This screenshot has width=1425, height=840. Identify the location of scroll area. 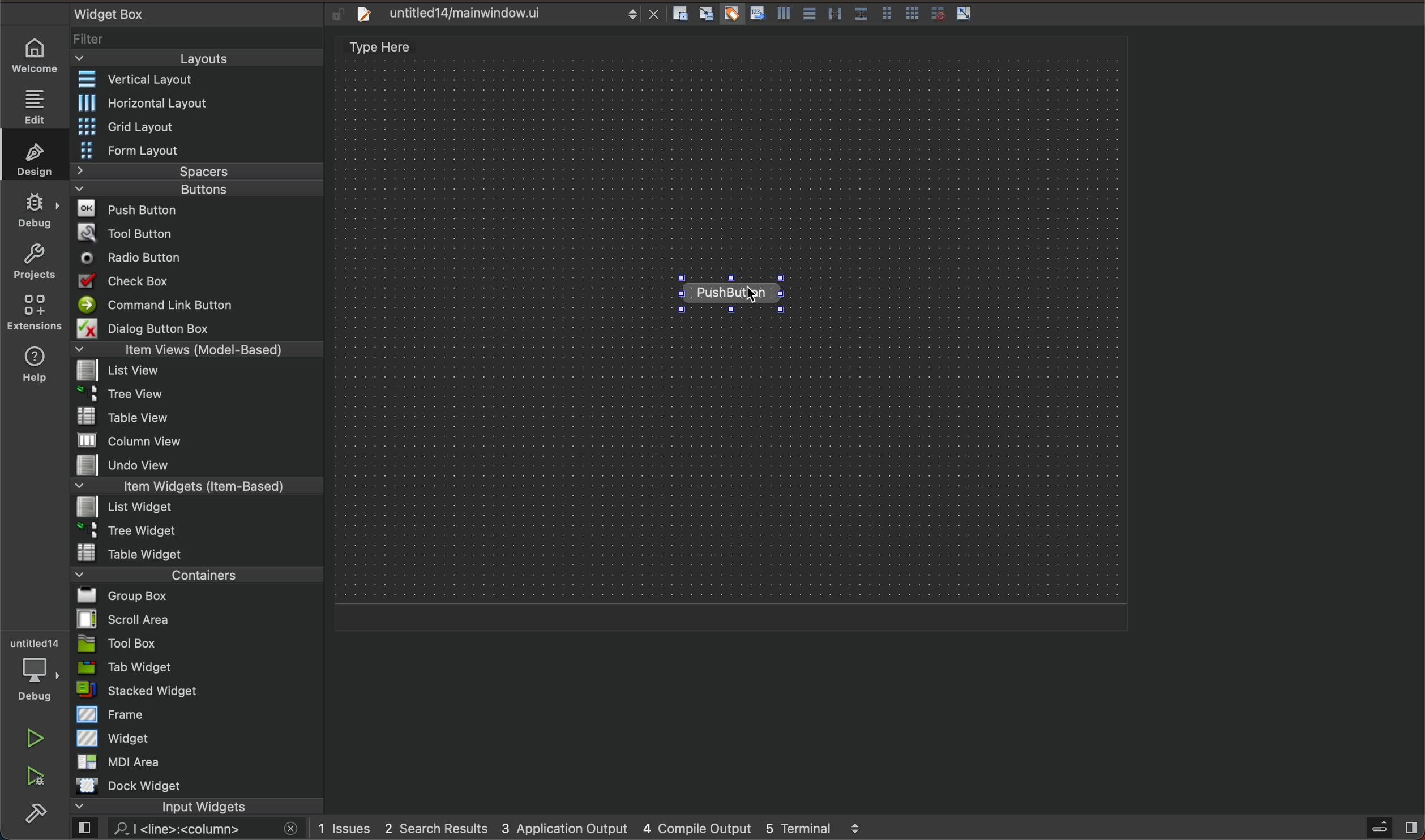
(197, 620).